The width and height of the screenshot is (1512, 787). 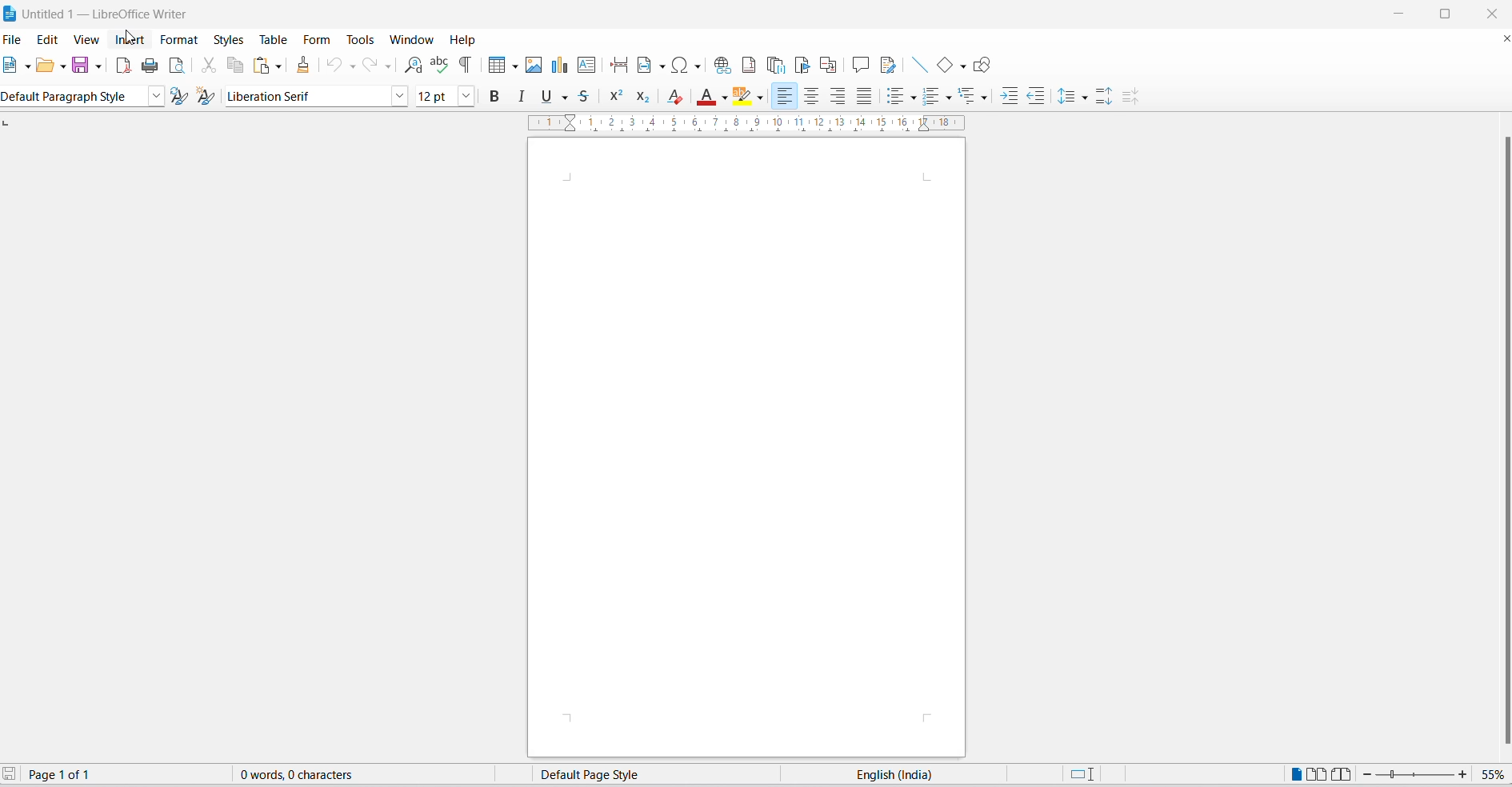 What do you see at coordinates (1086, 98) in the screenshot?
I see `line spacing options` at bounding box center [1086, 98].